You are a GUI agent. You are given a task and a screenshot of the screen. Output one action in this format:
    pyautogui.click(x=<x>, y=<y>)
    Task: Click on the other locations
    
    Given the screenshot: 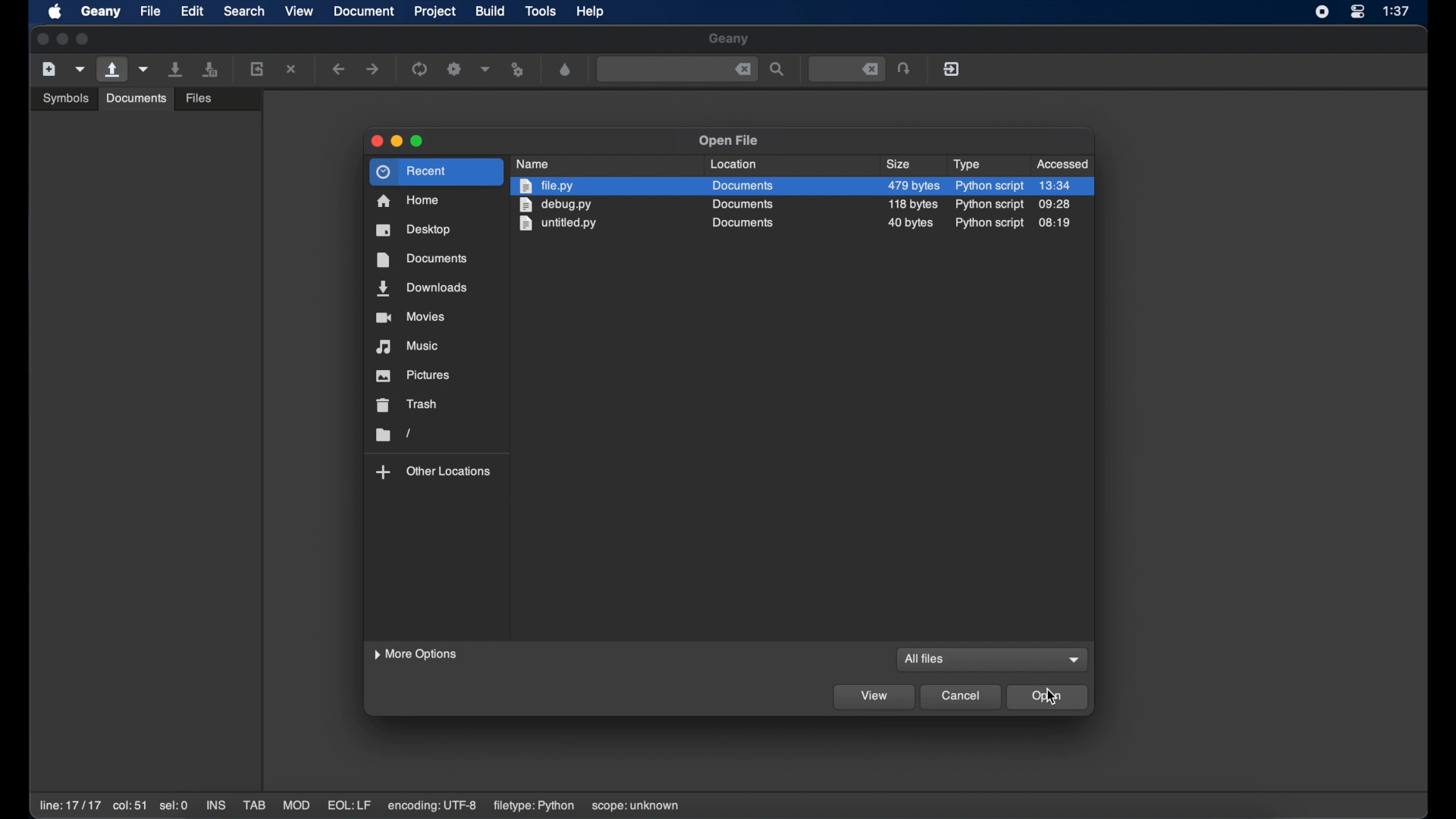 What is the action you would take?
    pyautogui.click(x=434, y=472)
    